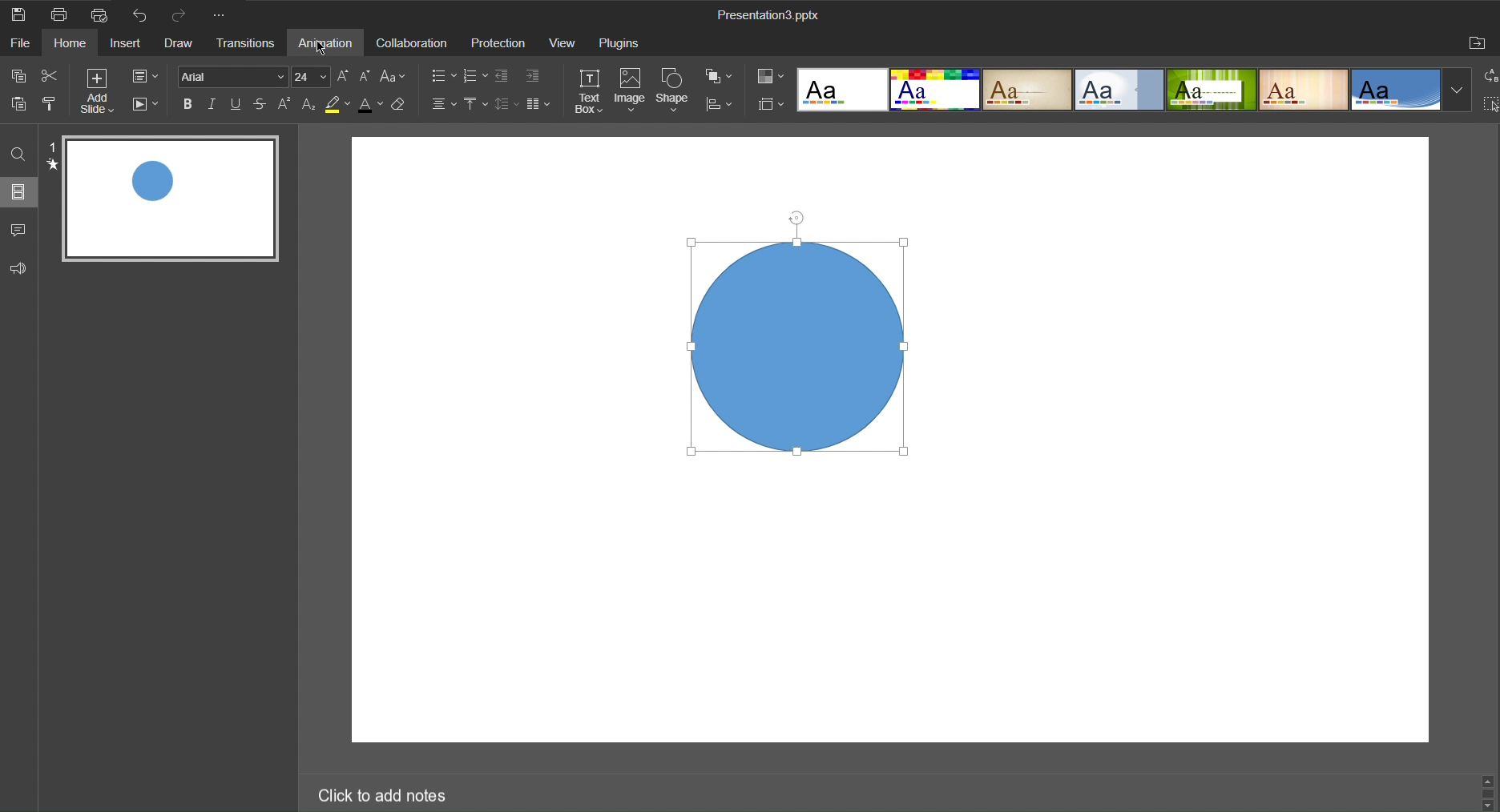 This screenshot has width=1500, height=812. I want to click on Italic, so click(216, 106).